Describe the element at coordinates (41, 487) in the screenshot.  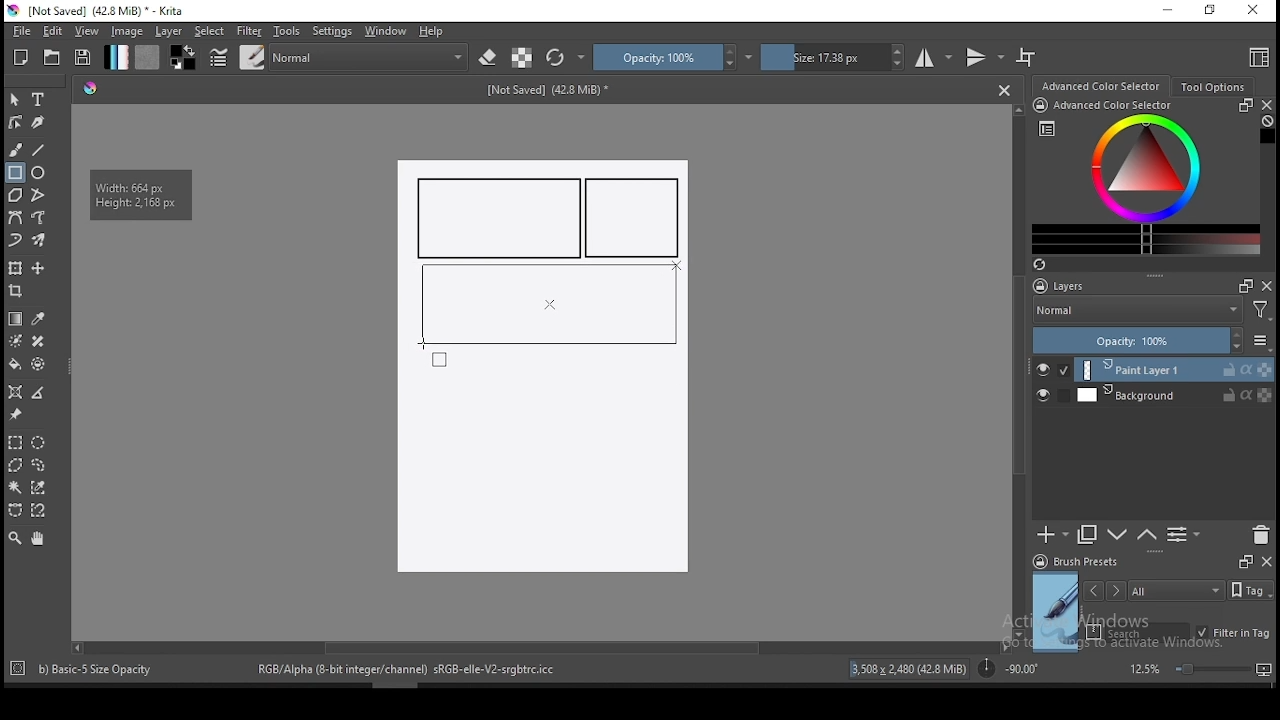
I see `similar color selection tool` at that location.